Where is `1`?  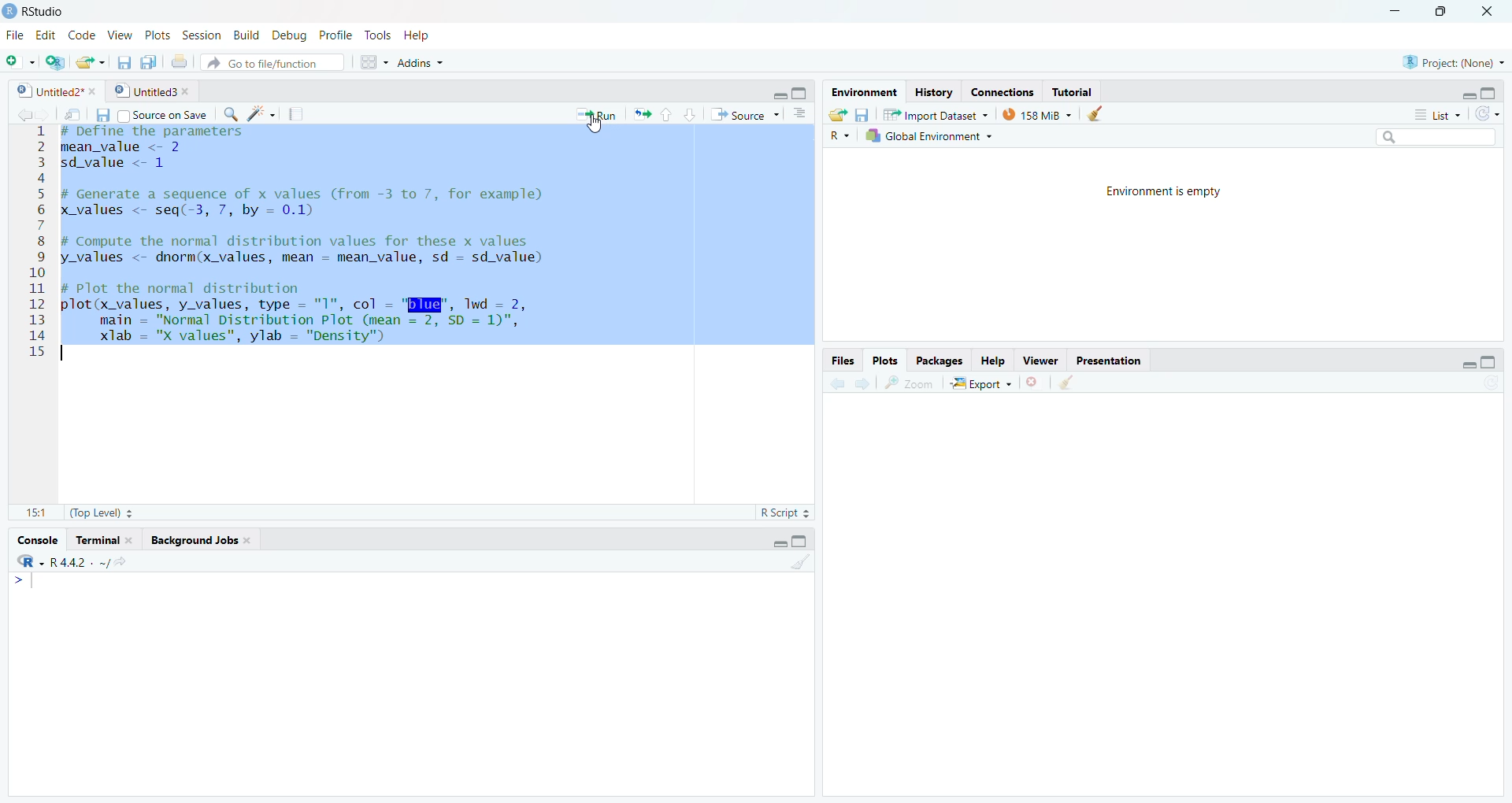
1 is located at coordinates (787, 561).